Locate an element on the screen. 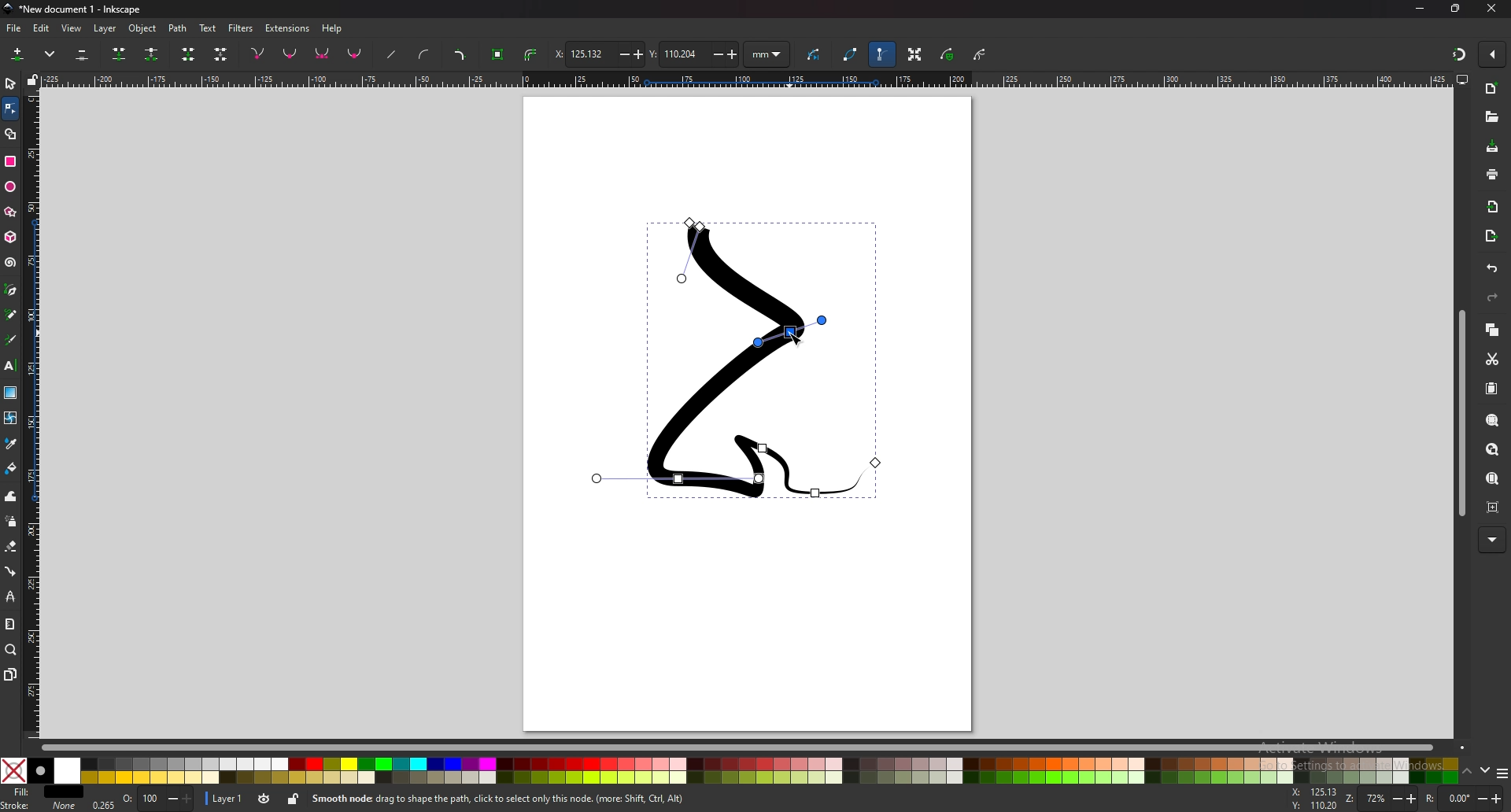  text is located at coordinates (208, 28).